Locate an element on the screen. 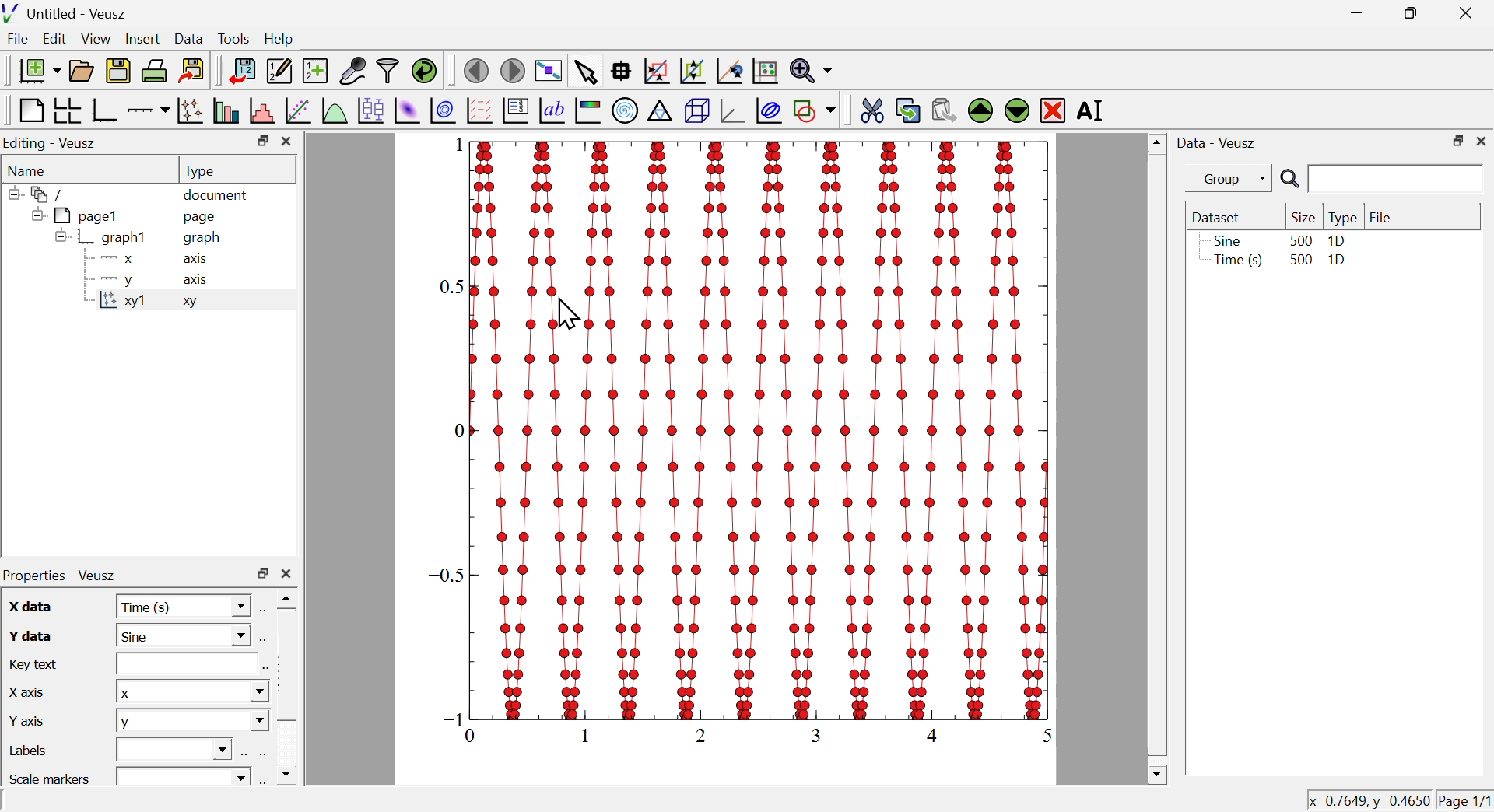 This screenshot has height=812, width=1494. 1D is located at coordinates (1338, 262).